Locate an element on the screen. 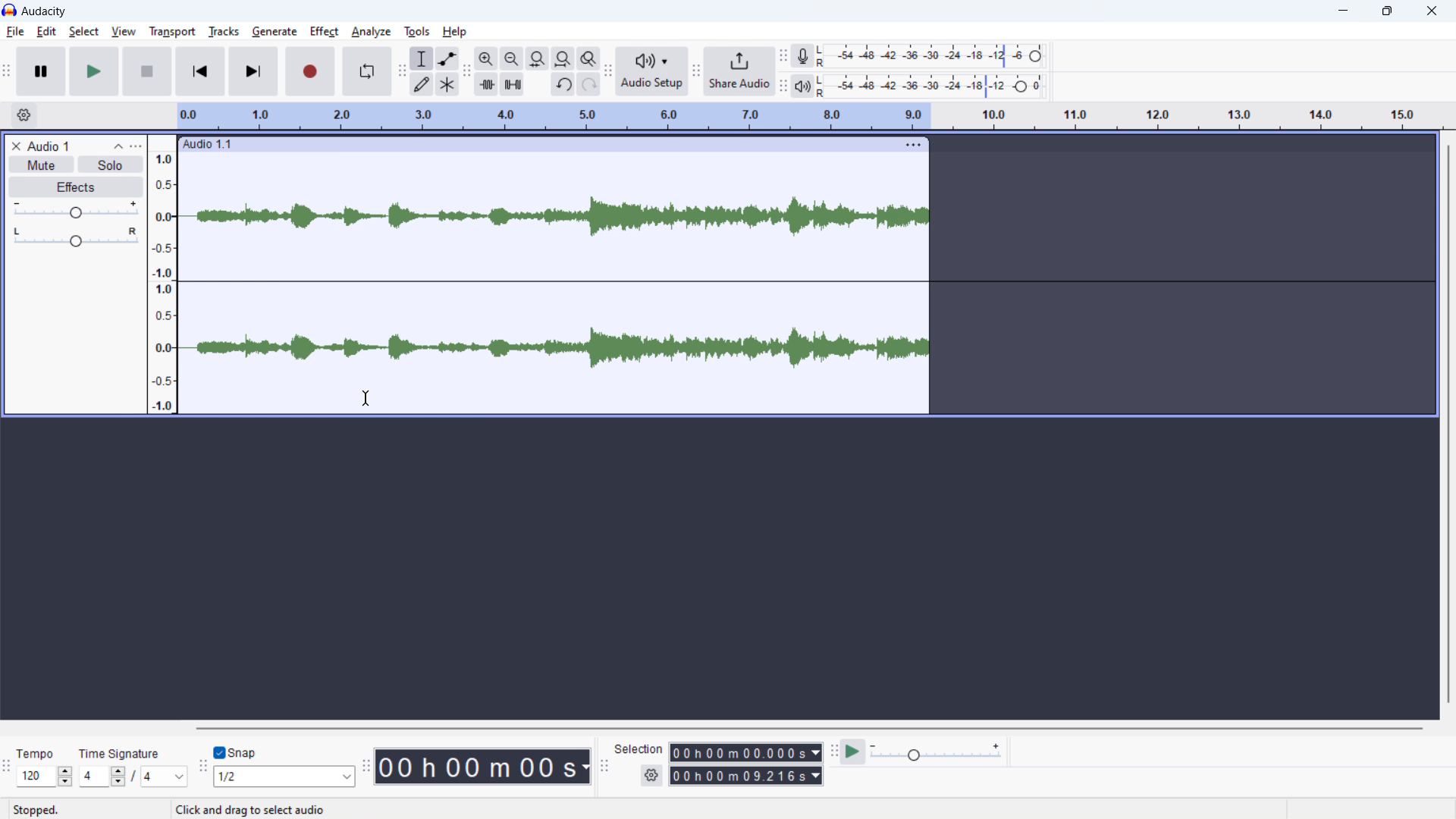  pause is located at coordinates (42, 72).